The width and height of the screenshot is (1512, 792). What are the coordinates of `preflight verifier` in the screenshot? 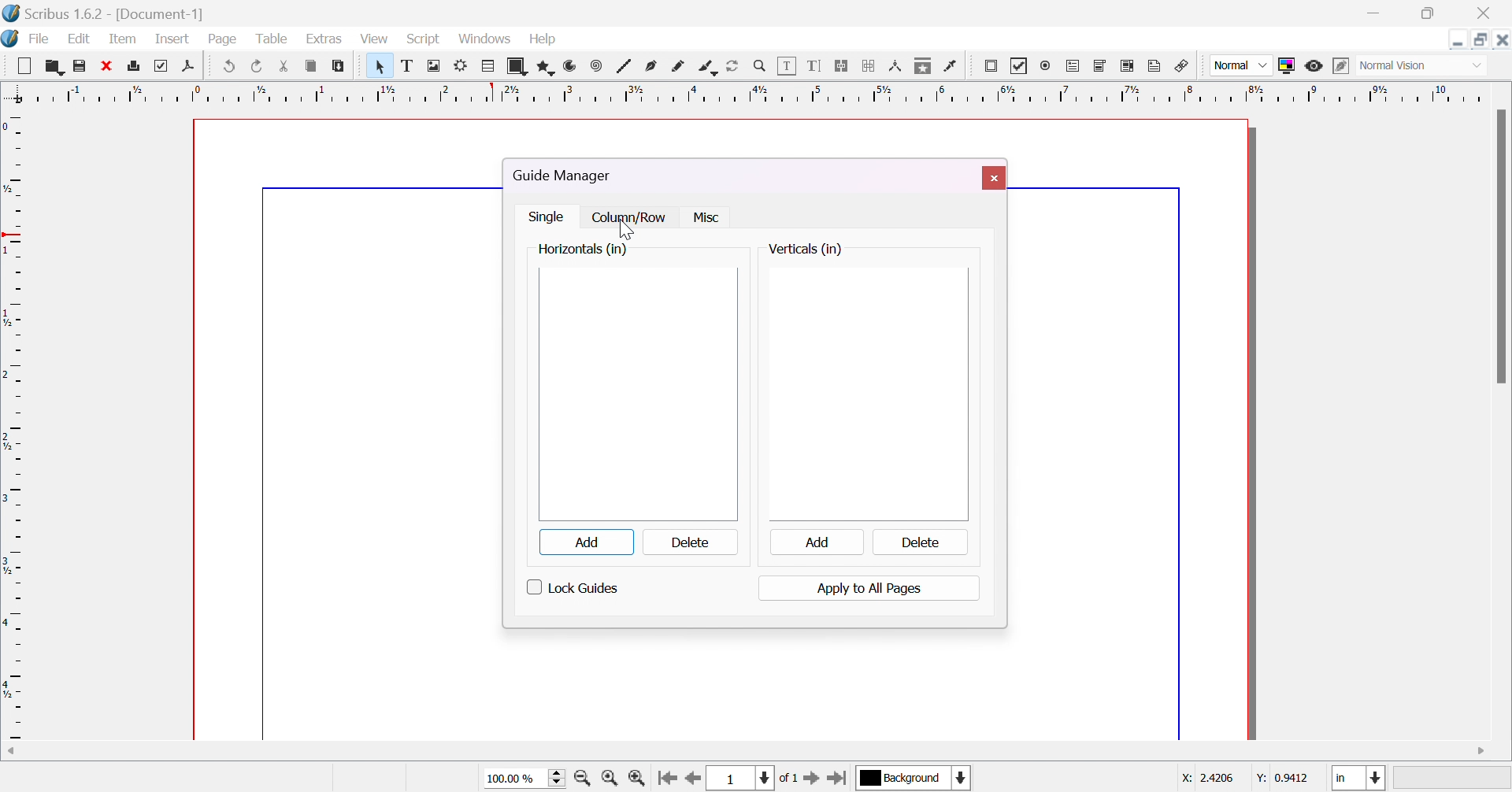 It's located at (166, 65).